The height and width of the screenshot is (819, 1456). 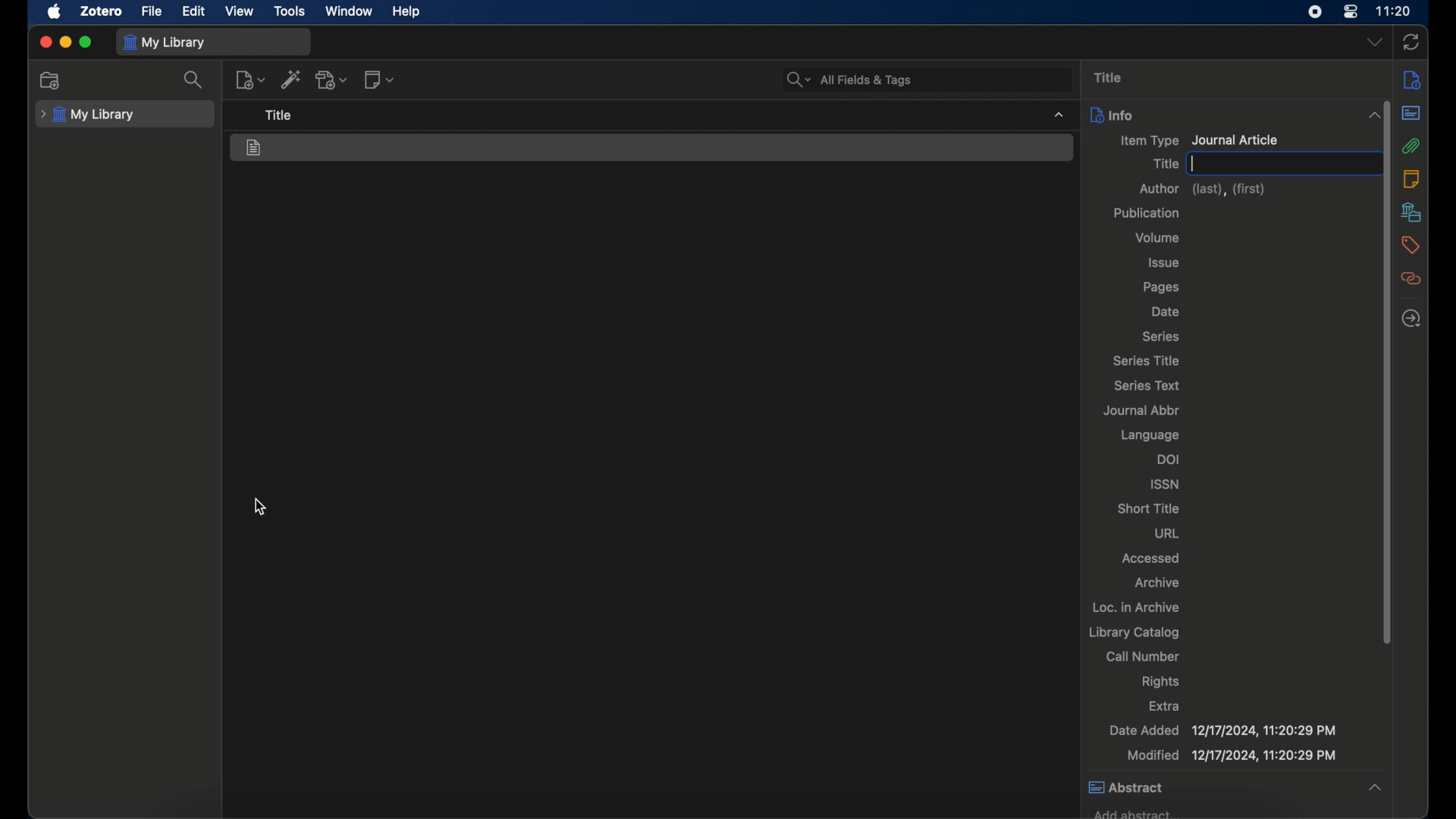 I want to click on doi, so click(x=1169, y=459).